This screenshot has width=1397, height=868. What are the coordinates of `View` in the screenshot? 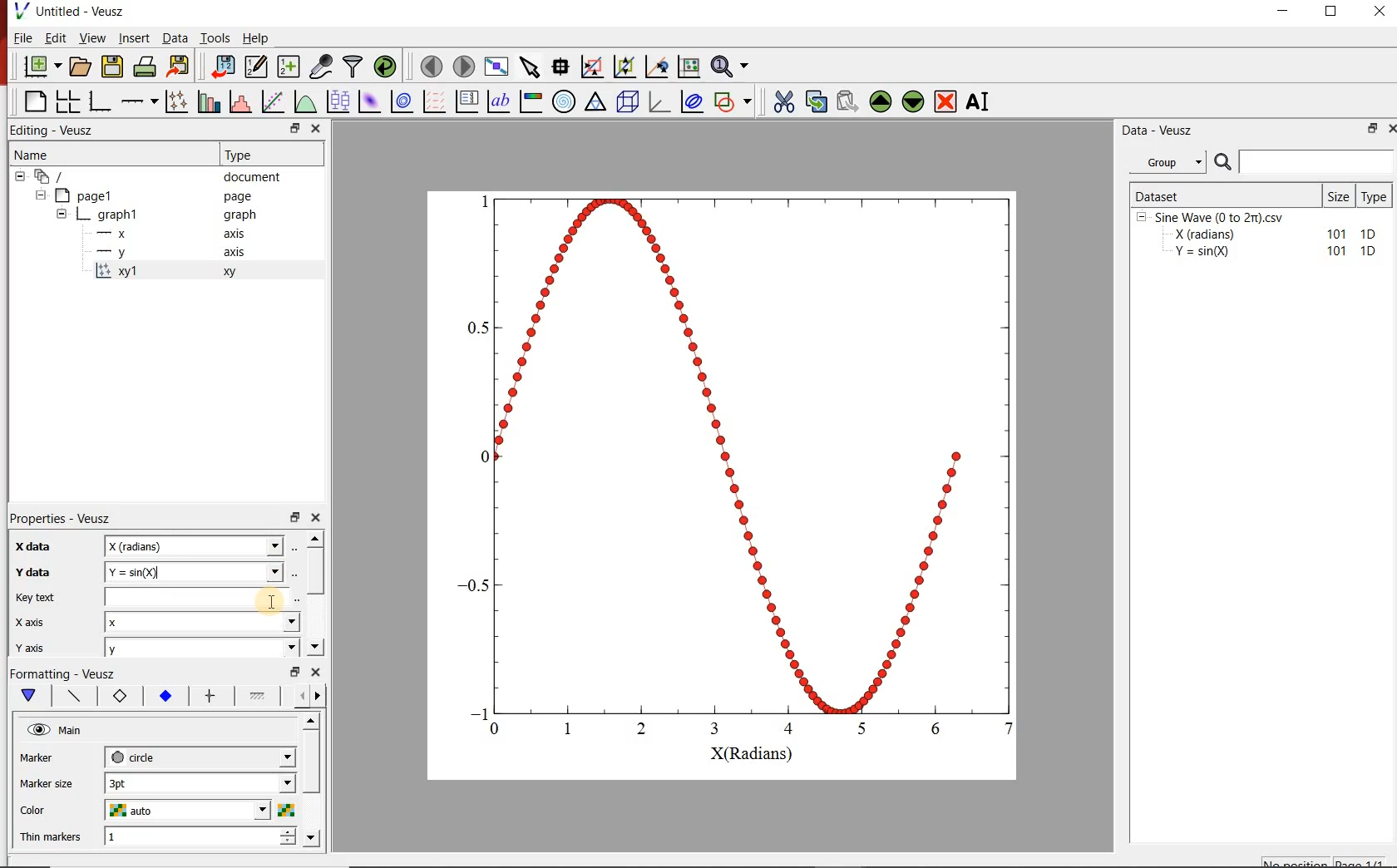 It's located at (93, 37).